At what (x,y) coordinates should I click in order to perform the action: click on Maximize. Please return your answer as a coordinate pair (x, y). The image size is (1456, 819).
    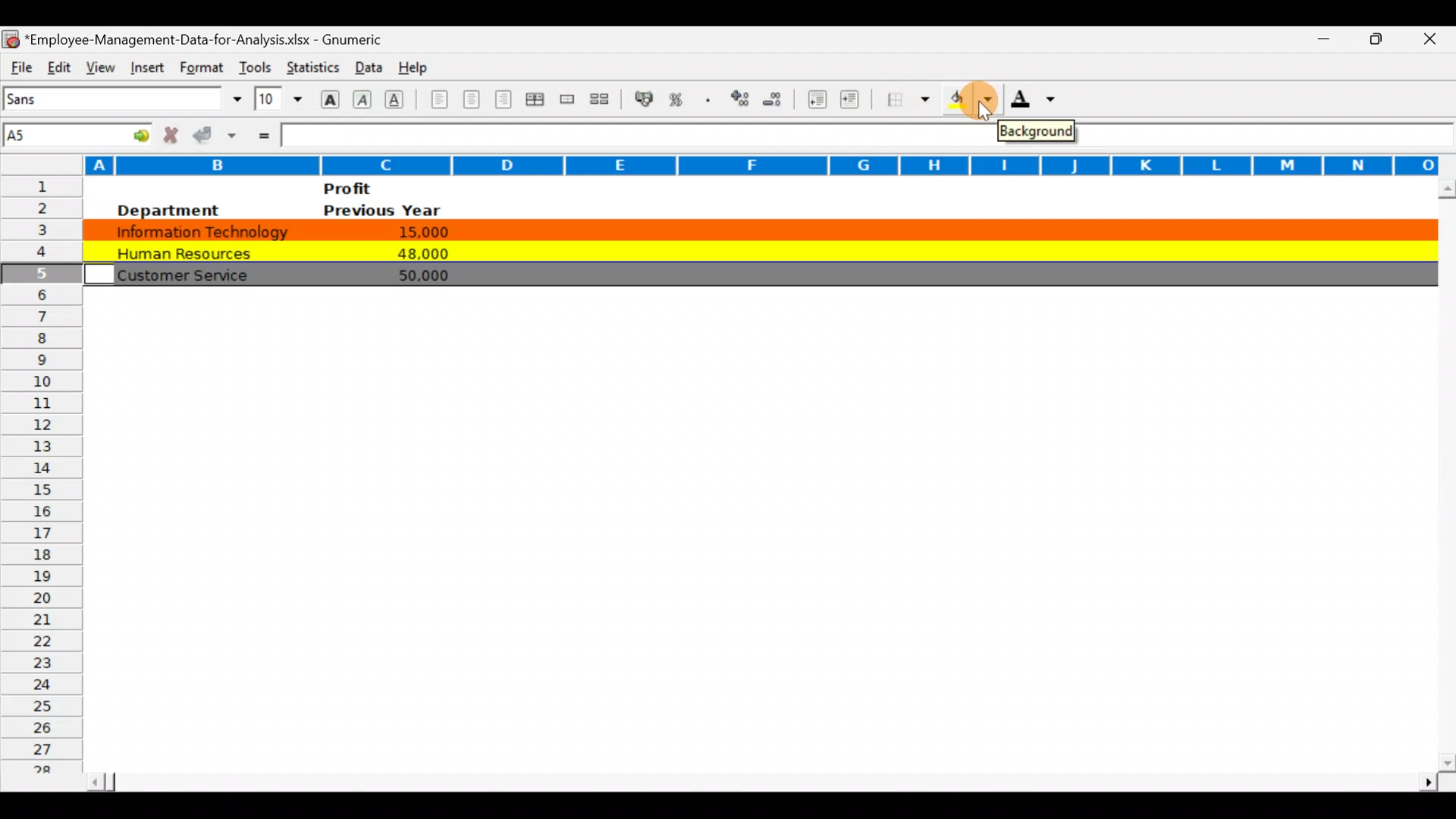
    Looking at the image, I should click on (1382, 37).